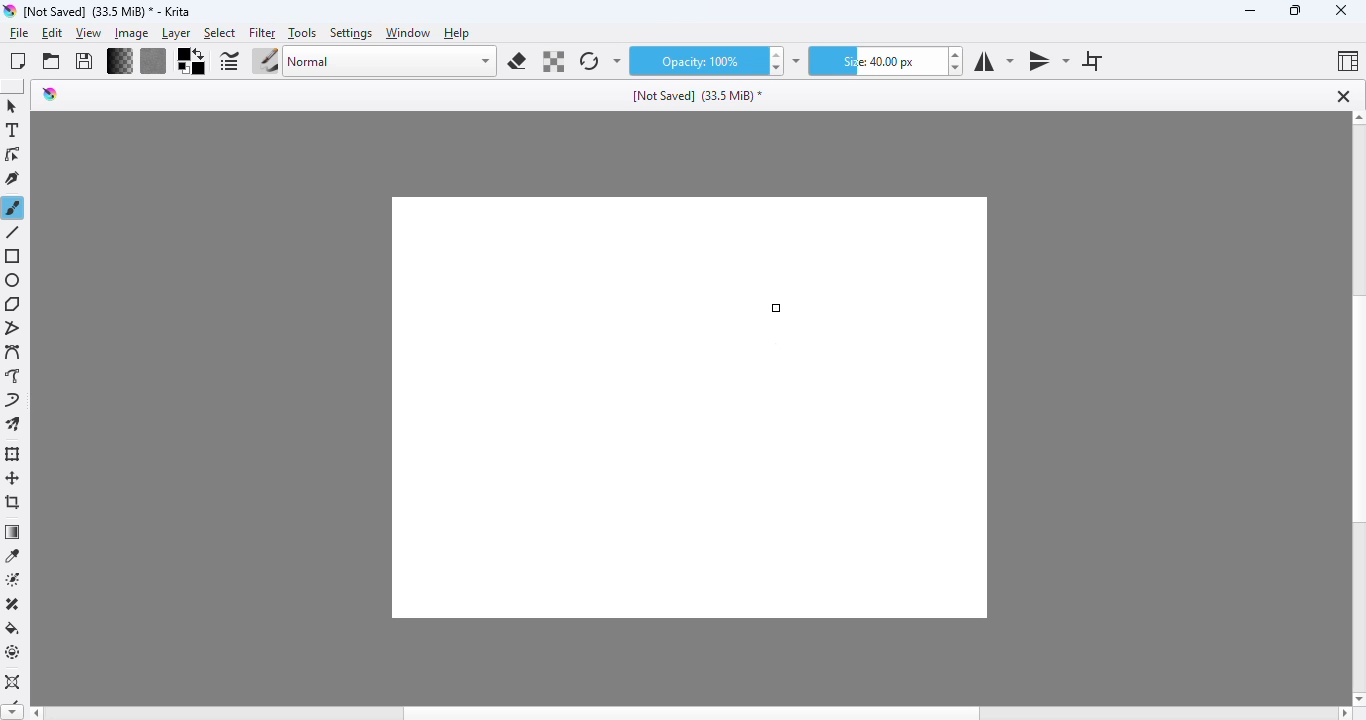 This screenshot has height=720, width=1366. I want to click on Scroll right, so click(1346, 713).